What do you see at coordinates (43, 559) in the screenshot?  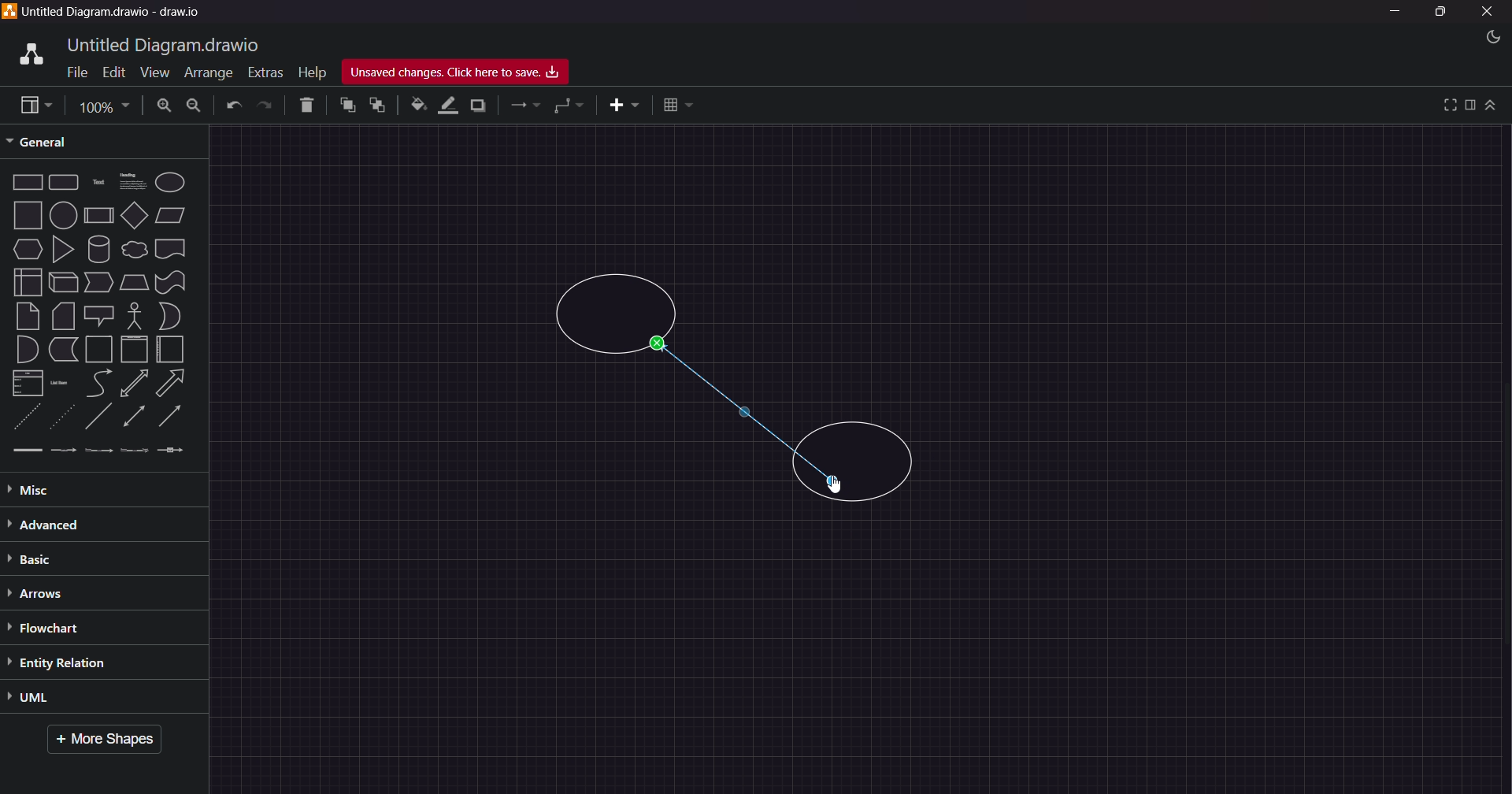 I see `Basic` at bounding box center [43, 559].